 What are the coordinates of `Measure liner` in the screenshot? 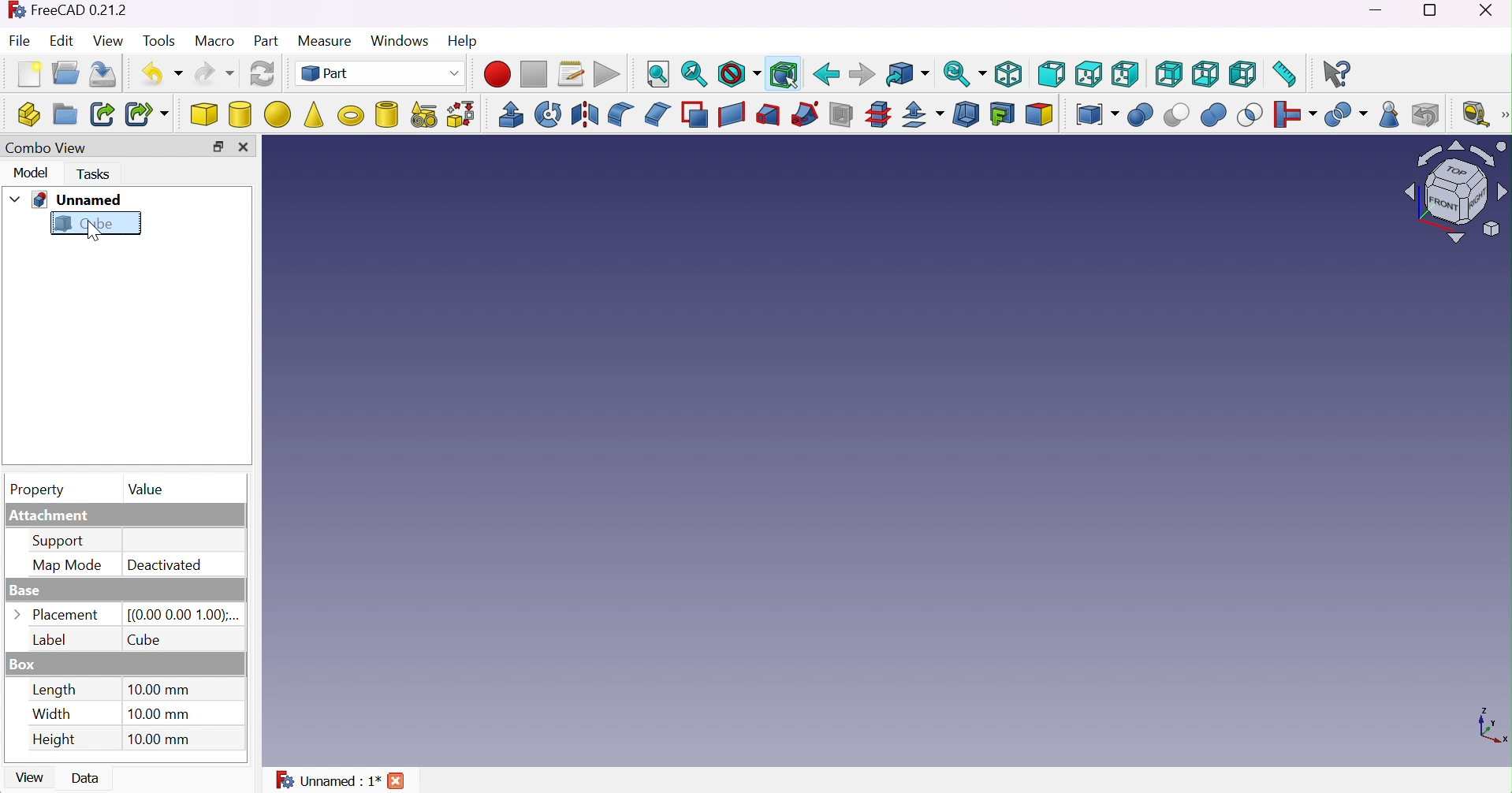 It's located at (1473, 114).